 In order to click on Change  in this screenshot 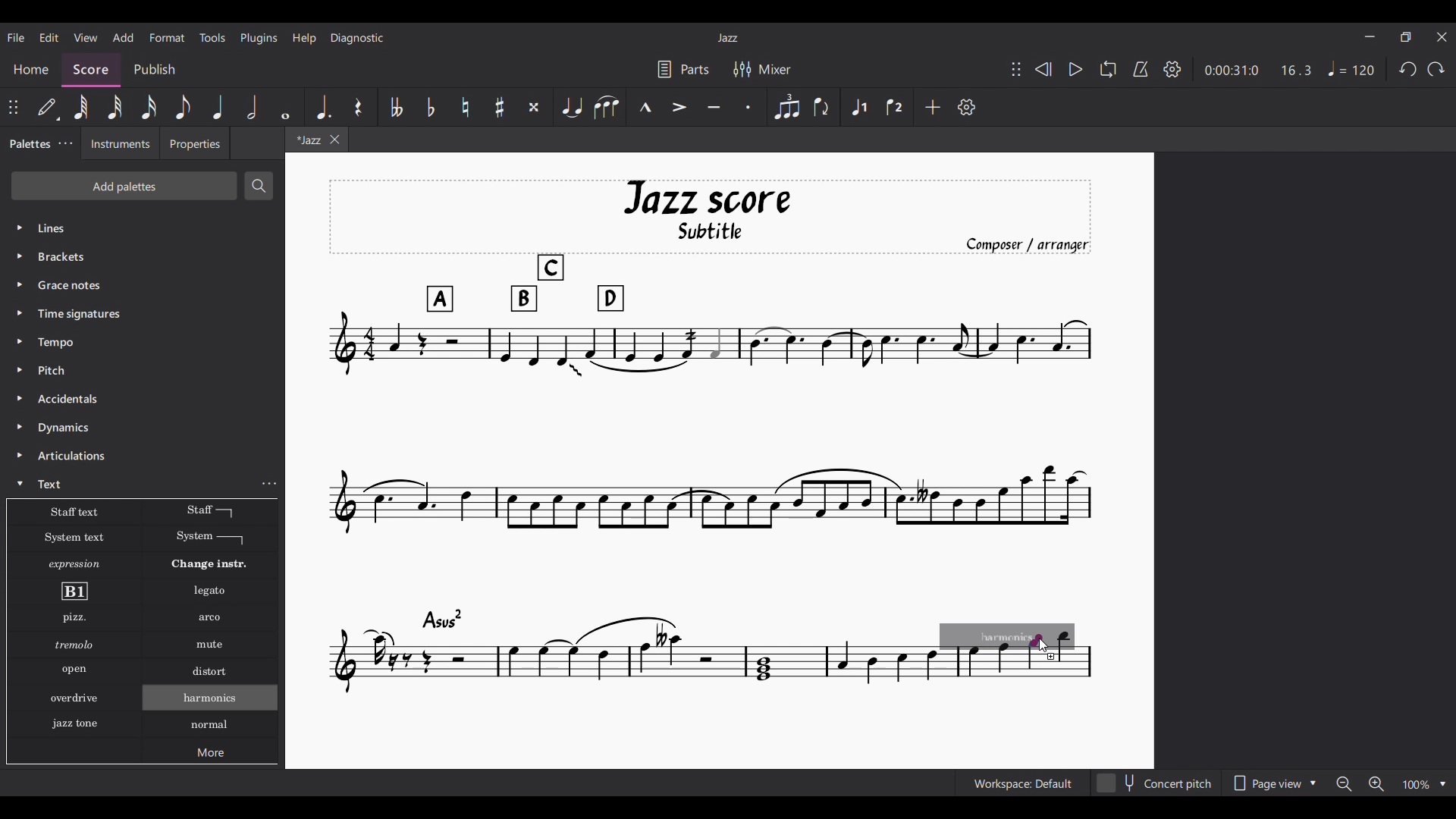, I will do `click(218, 564)`.